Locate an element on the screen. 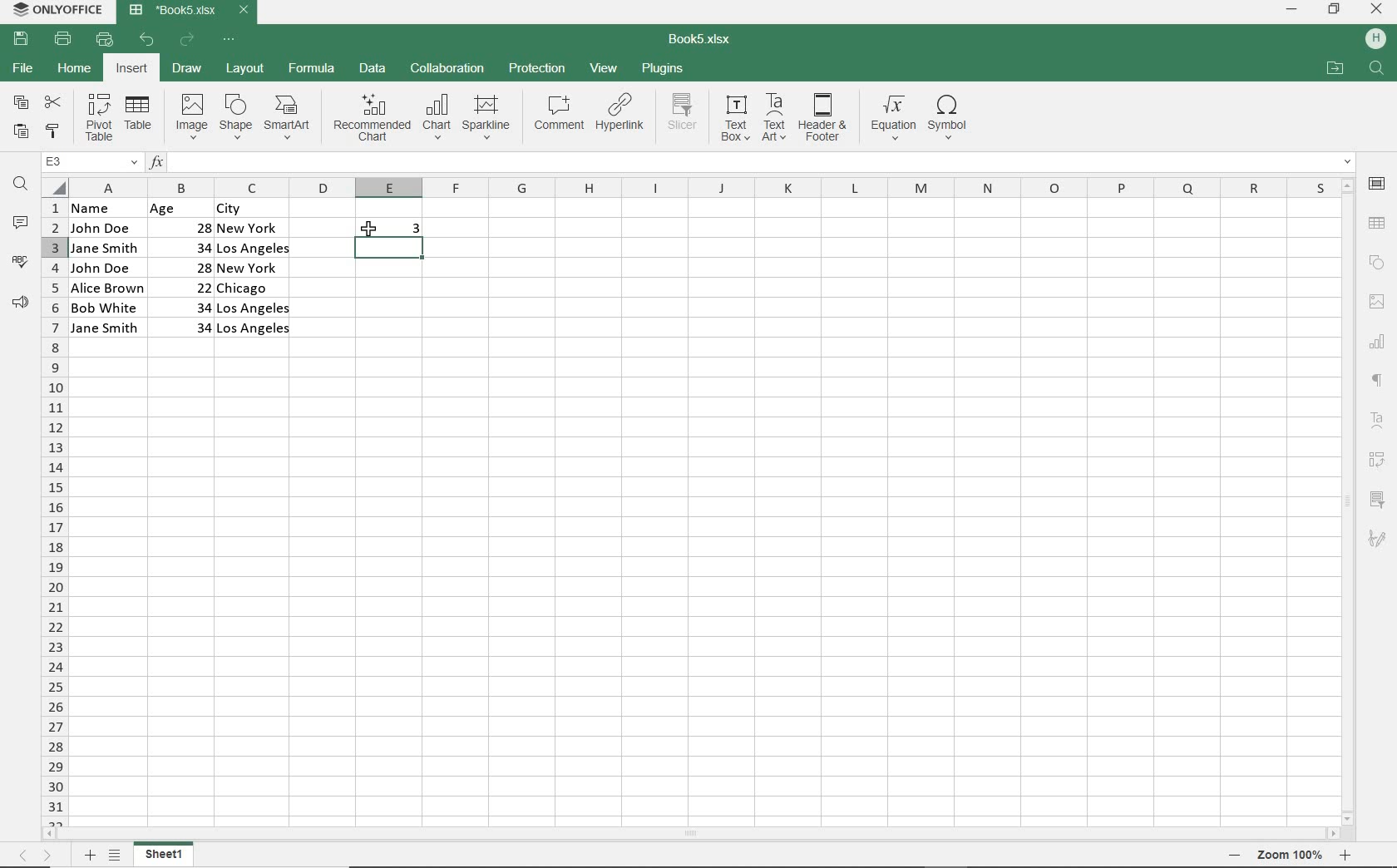 The width and height of the screenshot is (1397, 868). SPARKLINE is located at coordinates (486, 119).